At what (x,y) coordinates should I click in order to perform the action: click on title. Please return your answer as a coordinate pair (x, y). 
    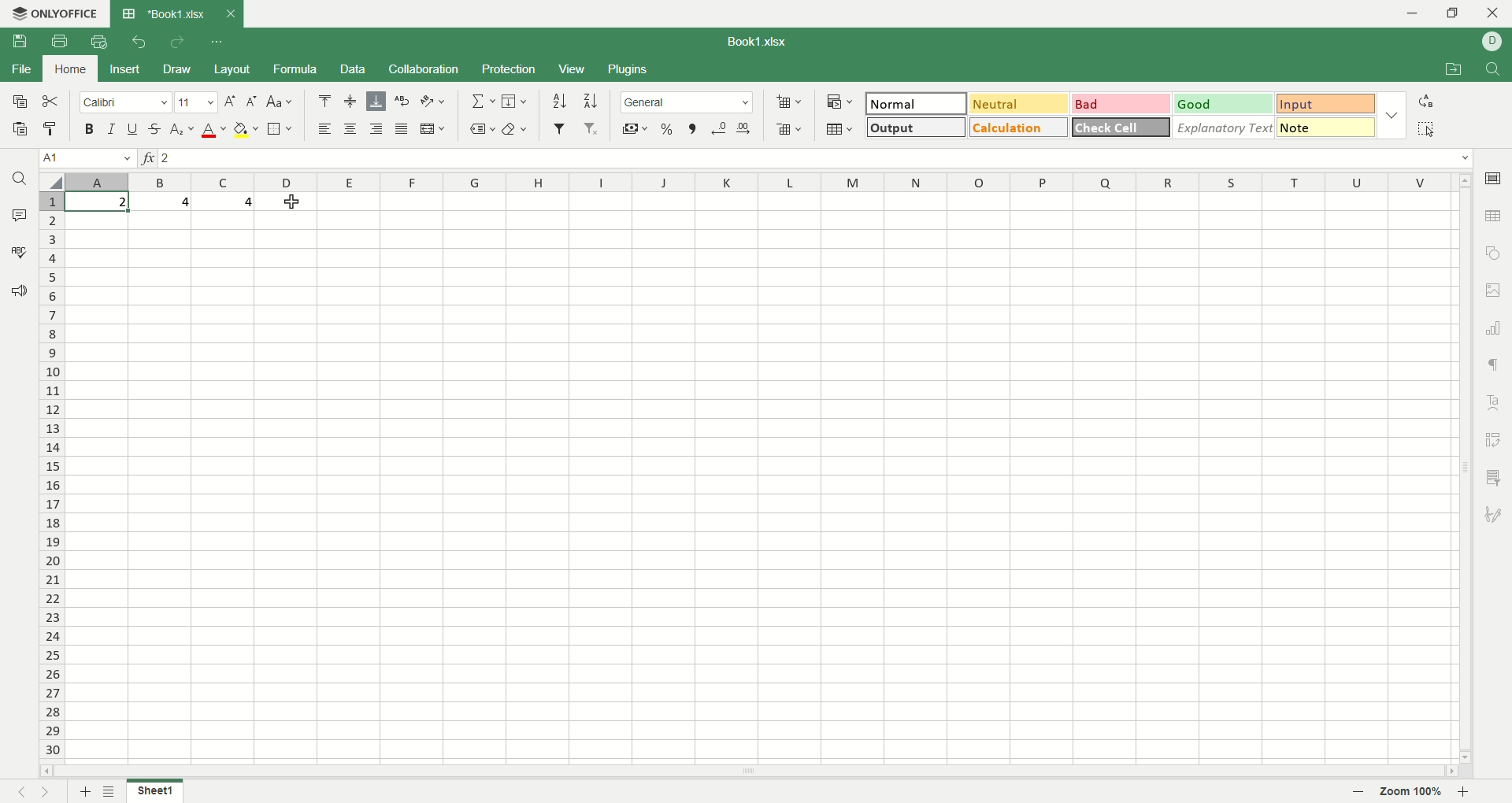
    Looking at the image, I should click on (174, 13).